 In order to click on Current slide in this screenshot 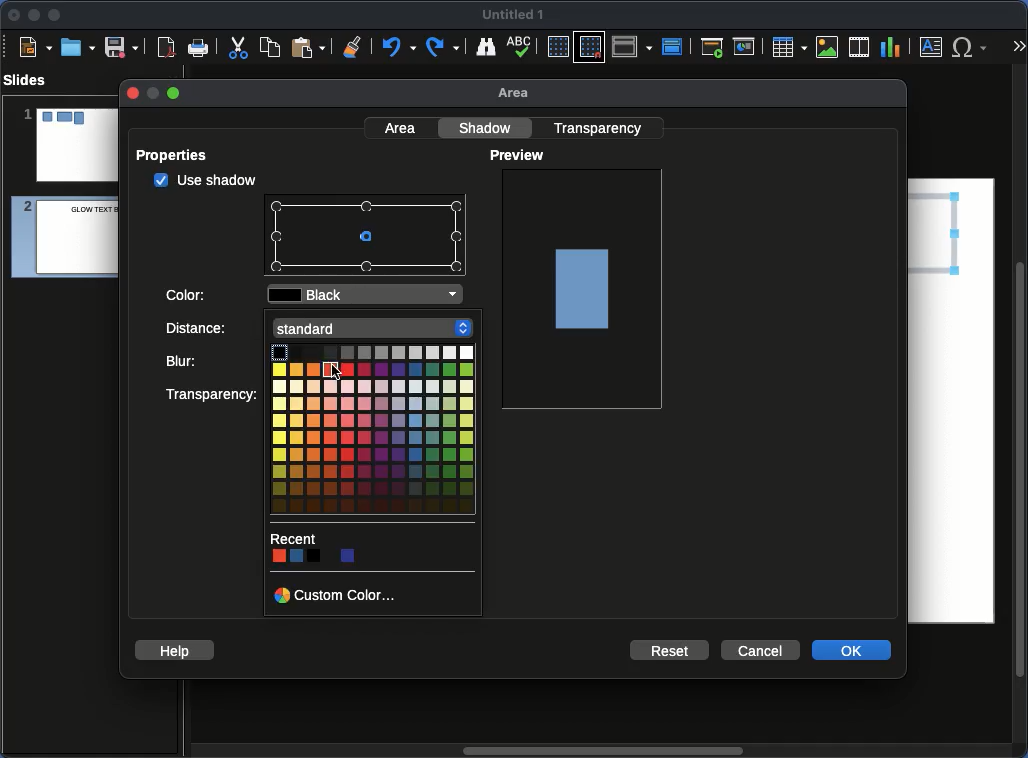, I will do `click(747, 47)`.